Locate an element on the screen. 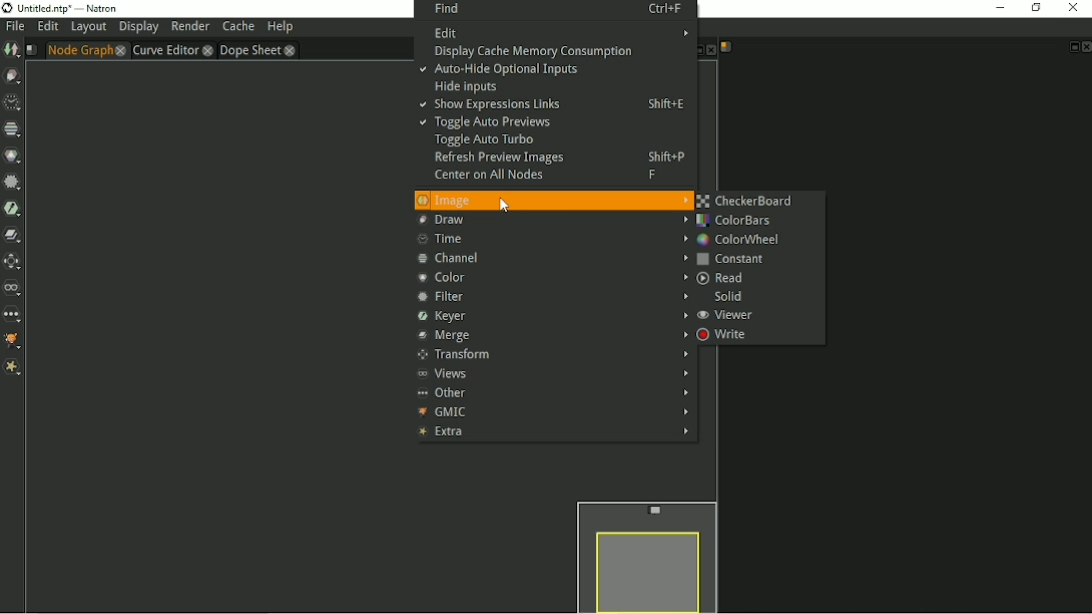 Image resolution: width=1092 pixels, height=614 pixels. Display is located at coordinates (139, 28).